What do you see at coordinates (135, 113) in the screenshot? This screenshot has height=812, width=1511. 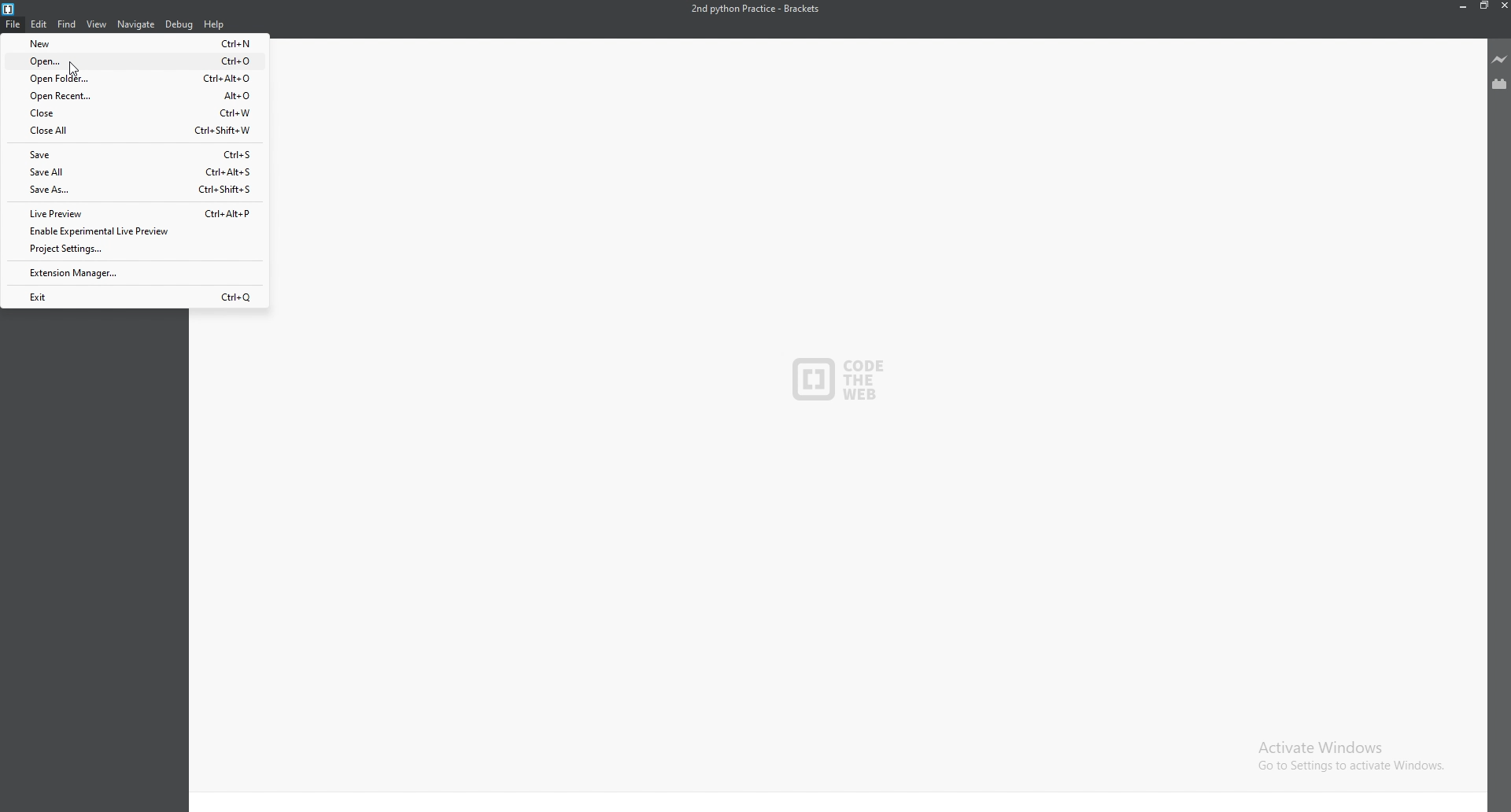 I see `close` at bounding box center [135, 113].